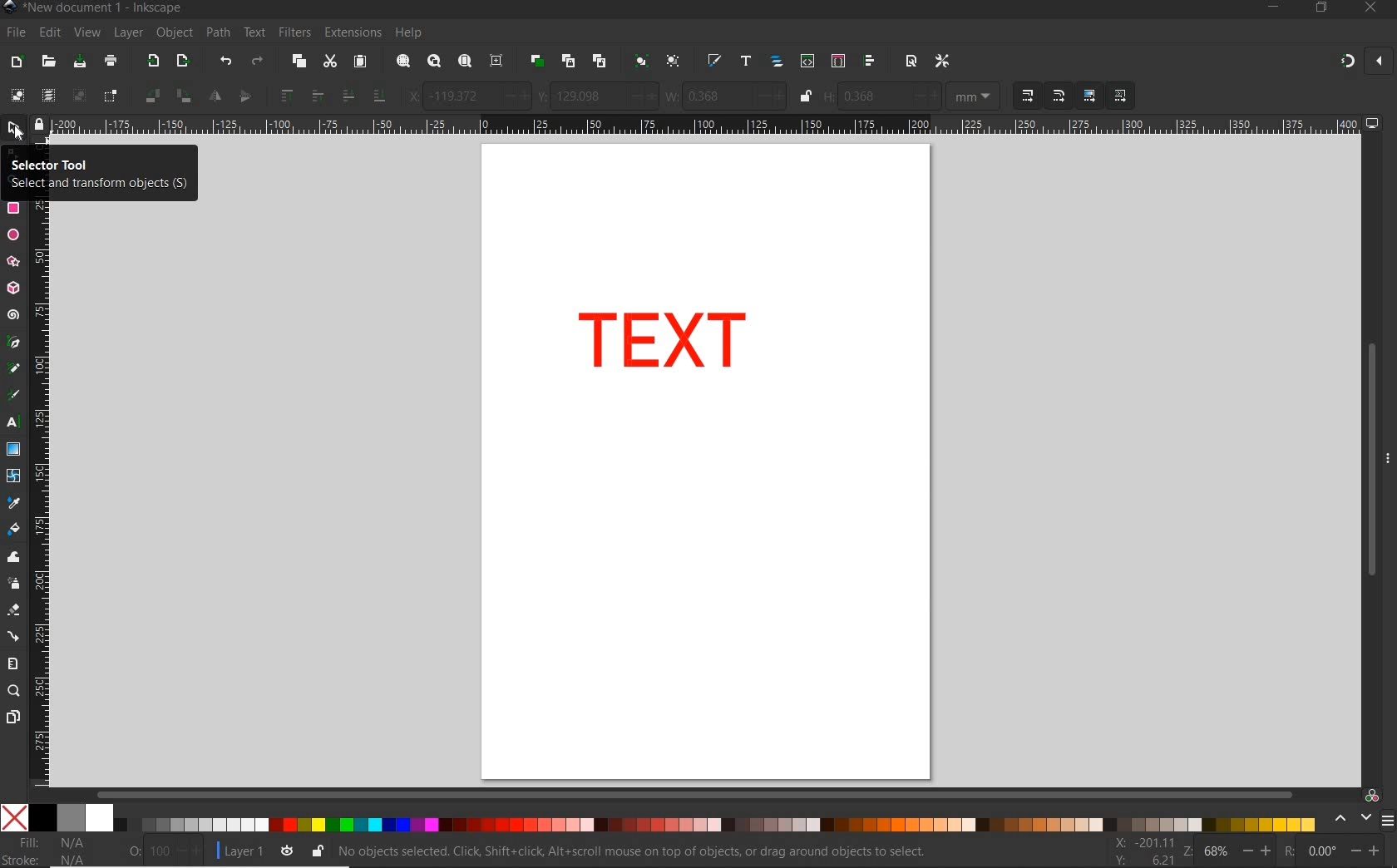 The image size is (1397, 868). What do you see at coordinates (111, 63) in the screenshot?
I see `PAINT` at bounding box center [111, 63].